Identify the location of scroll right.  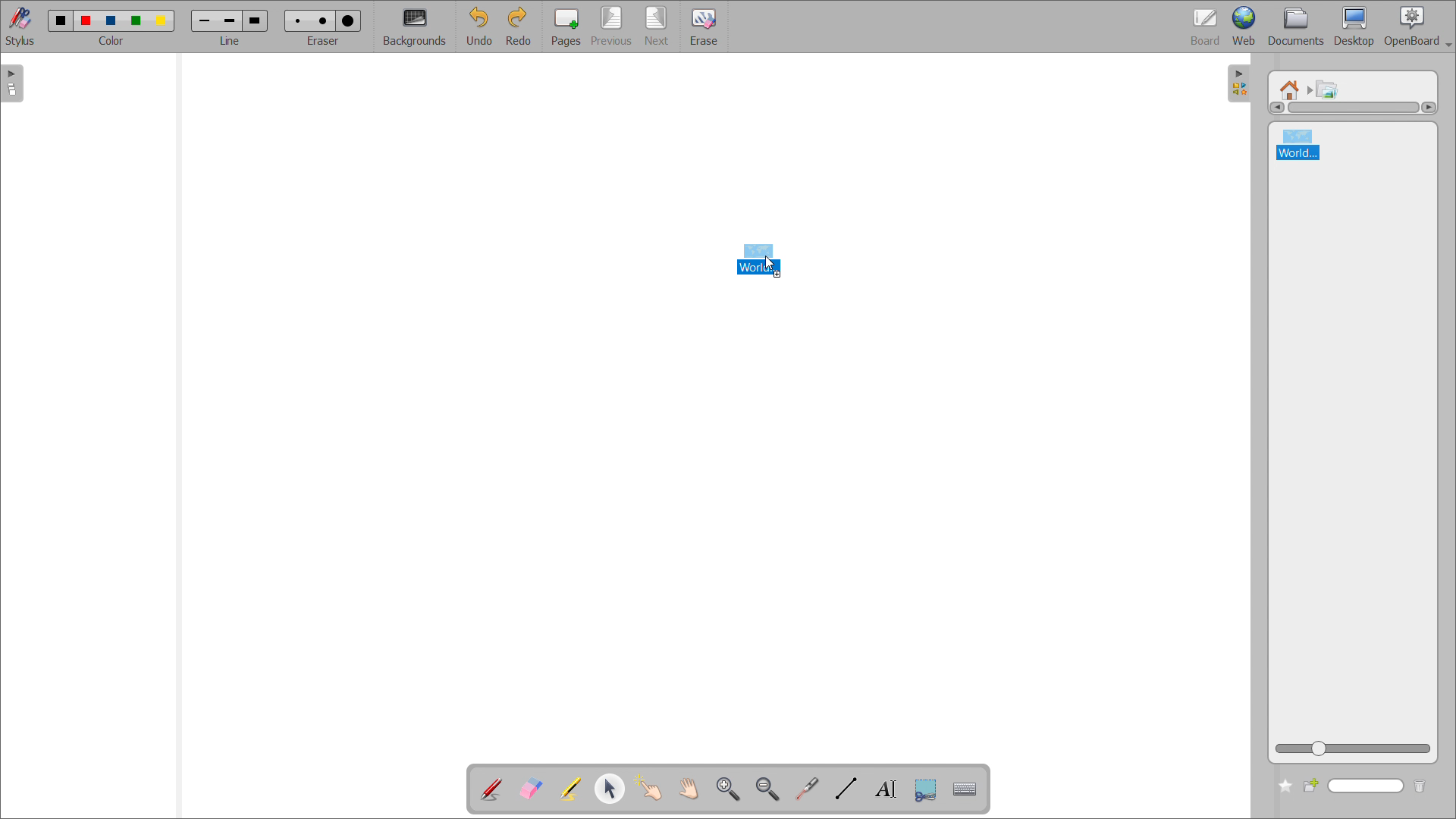
(1430, 107).